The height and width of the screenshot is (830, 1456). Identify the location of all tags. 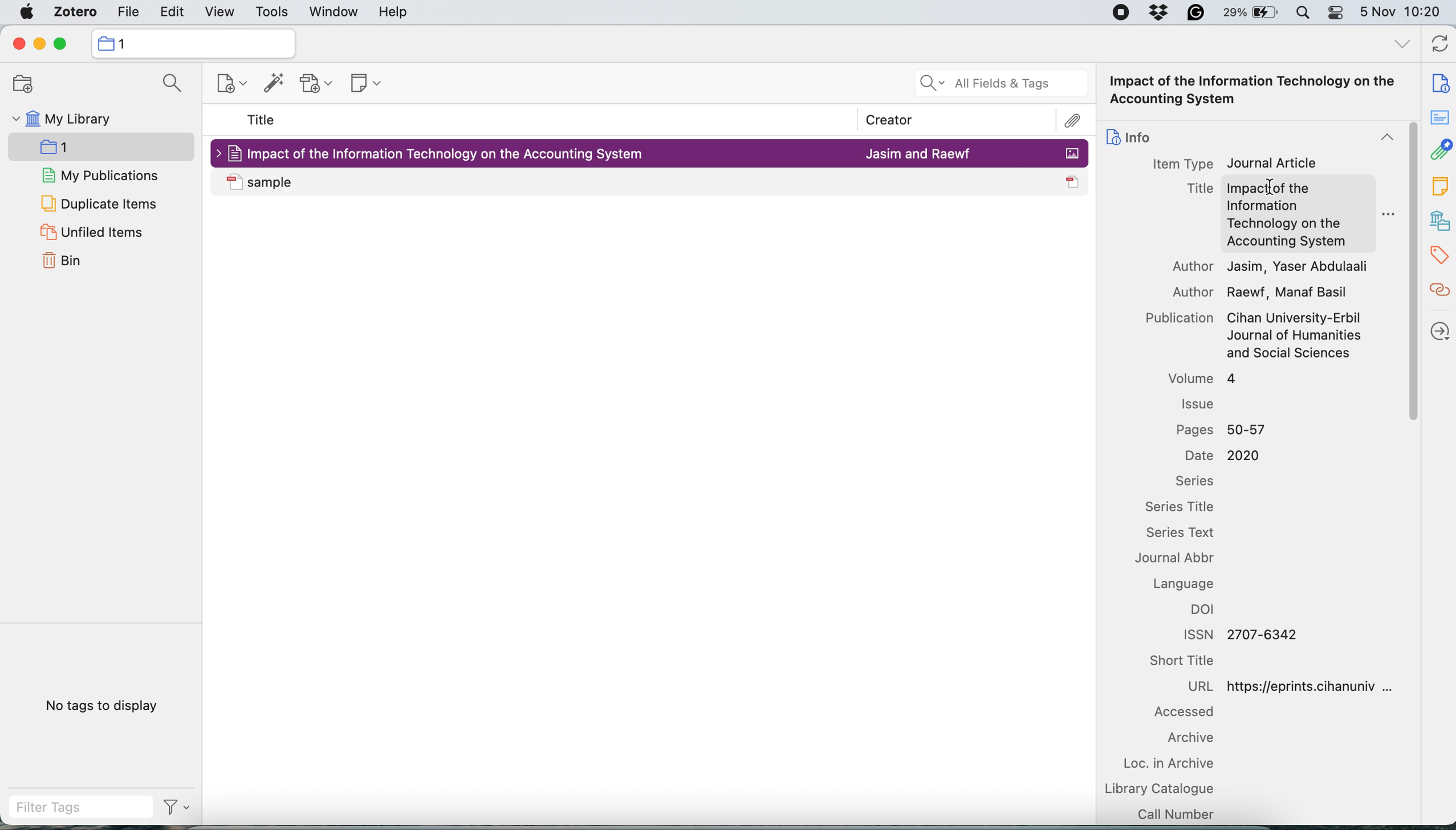
(1401, 44).